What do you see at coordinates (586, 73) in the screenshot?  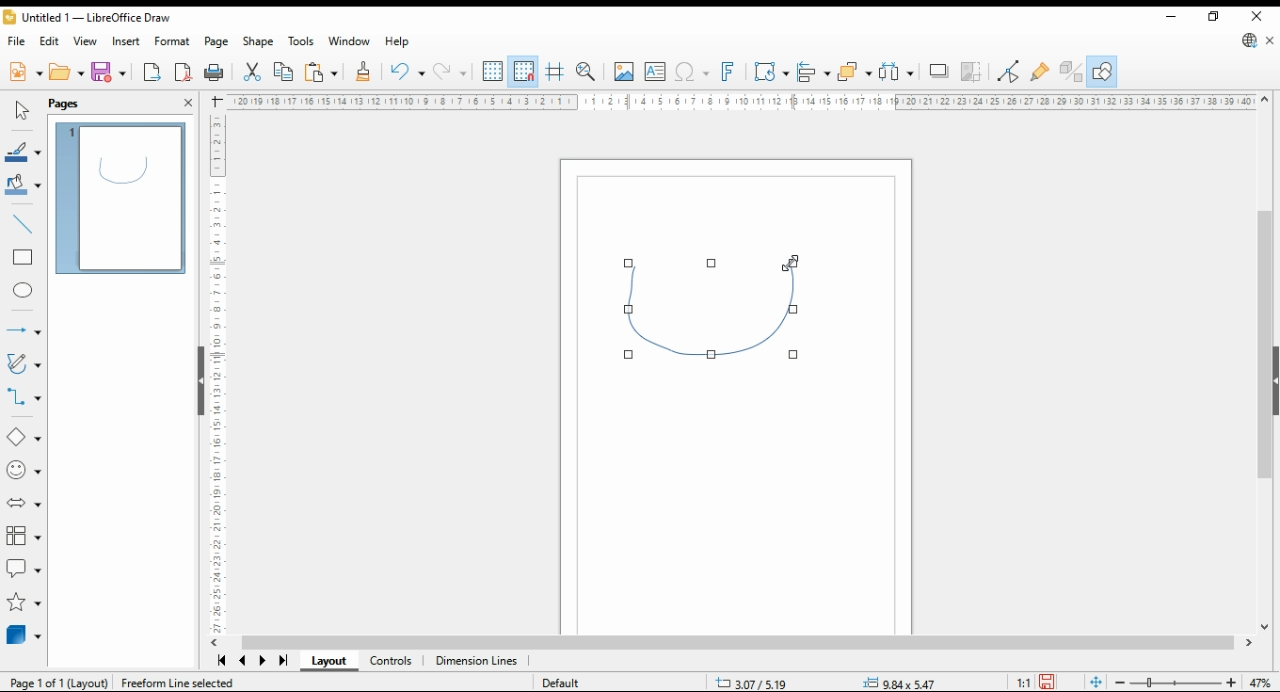 I see `zoom and pan` at bounding box center [586, 73].